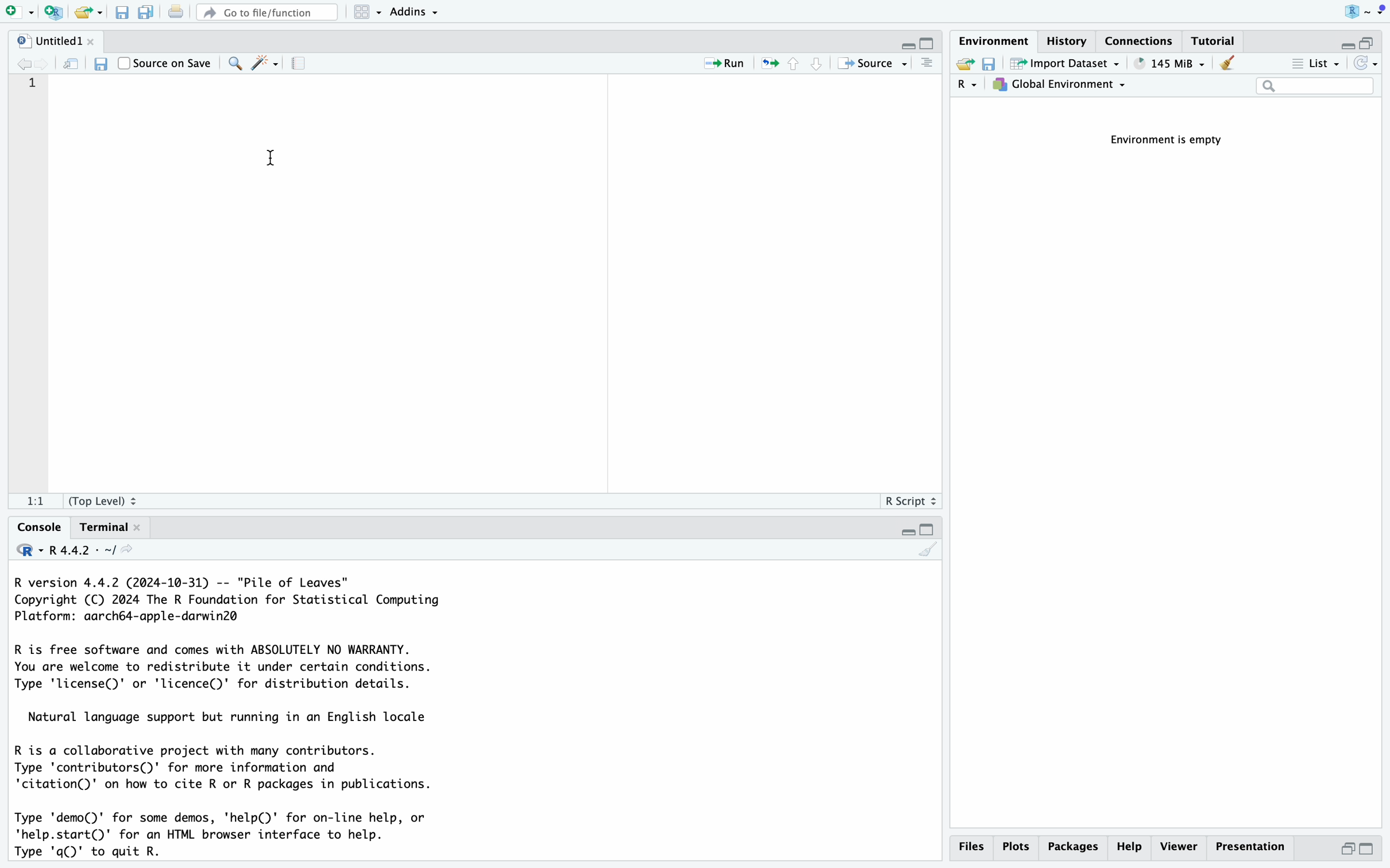 This screenshot has width=1390, height=868. What do you see at coordinates (1342, 11) in the screenshot?
I see `R logo` at bounding box center [1342, 11].